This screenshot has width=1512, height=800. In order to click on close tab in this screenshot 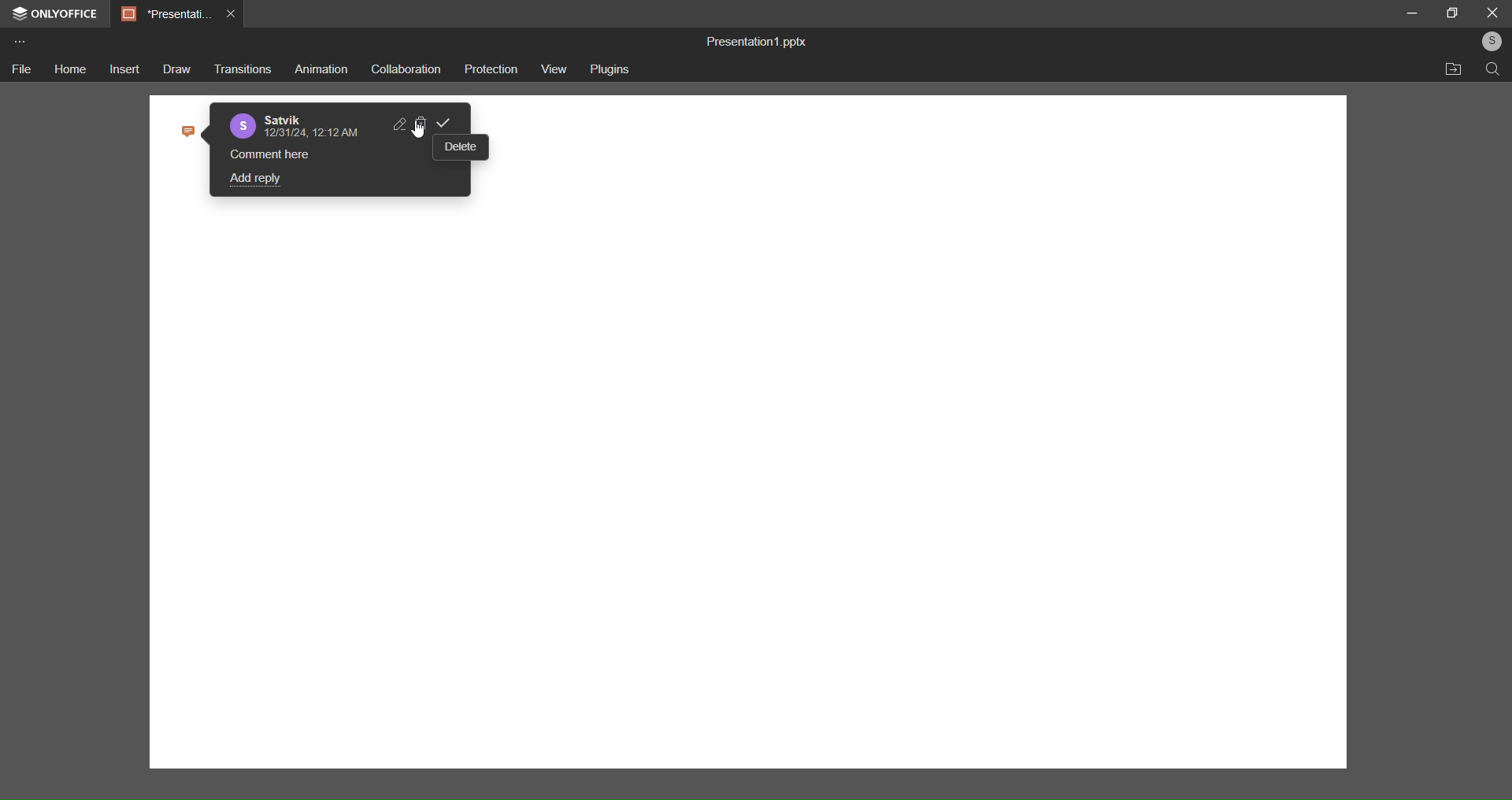, I will do `click(230, 16)`.